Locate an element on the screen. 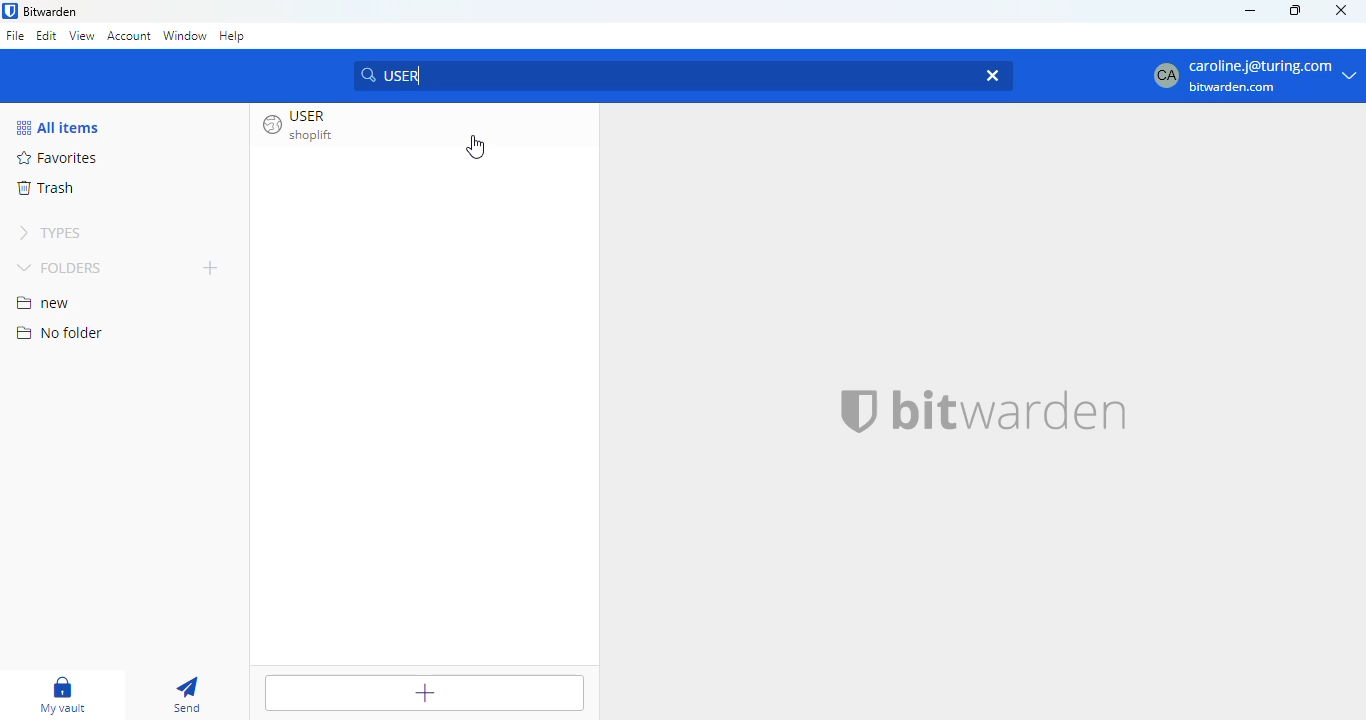 This screenshot has width=1366, height=720. file is located at coordinates (15, 35).